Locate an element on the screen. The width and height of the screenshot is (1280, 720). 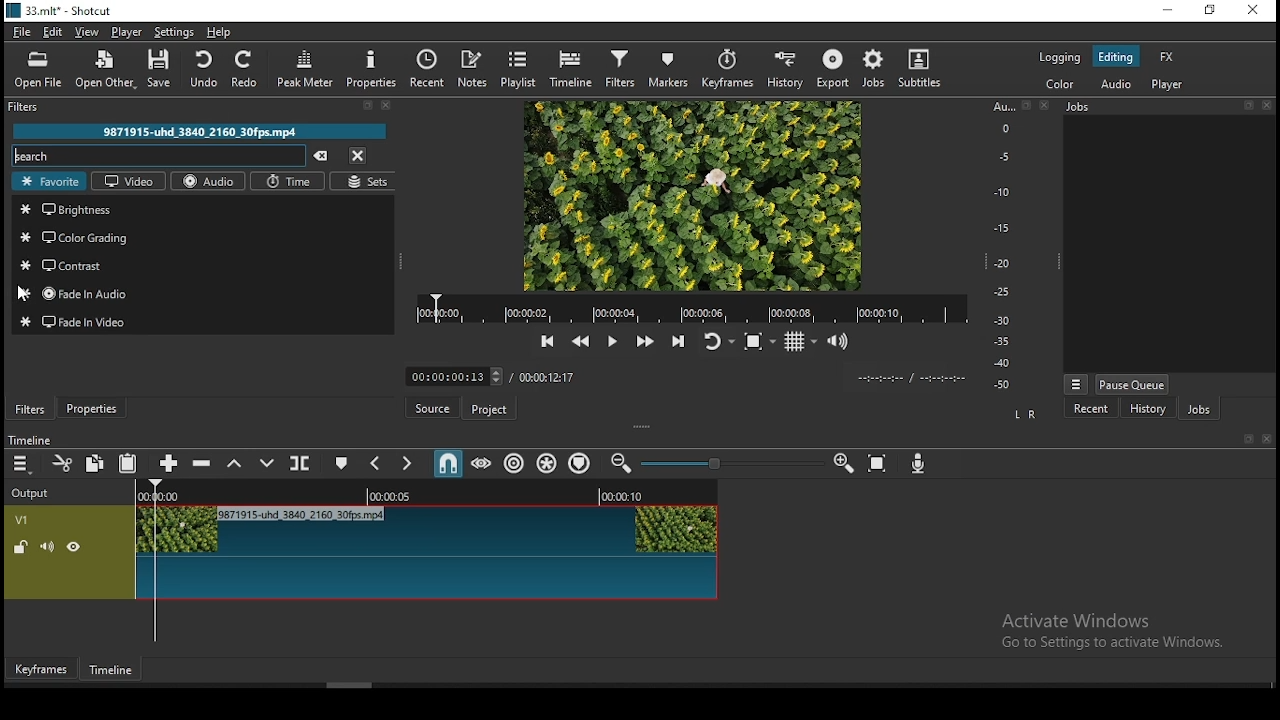
close menu is located at coordinates (361, 155).